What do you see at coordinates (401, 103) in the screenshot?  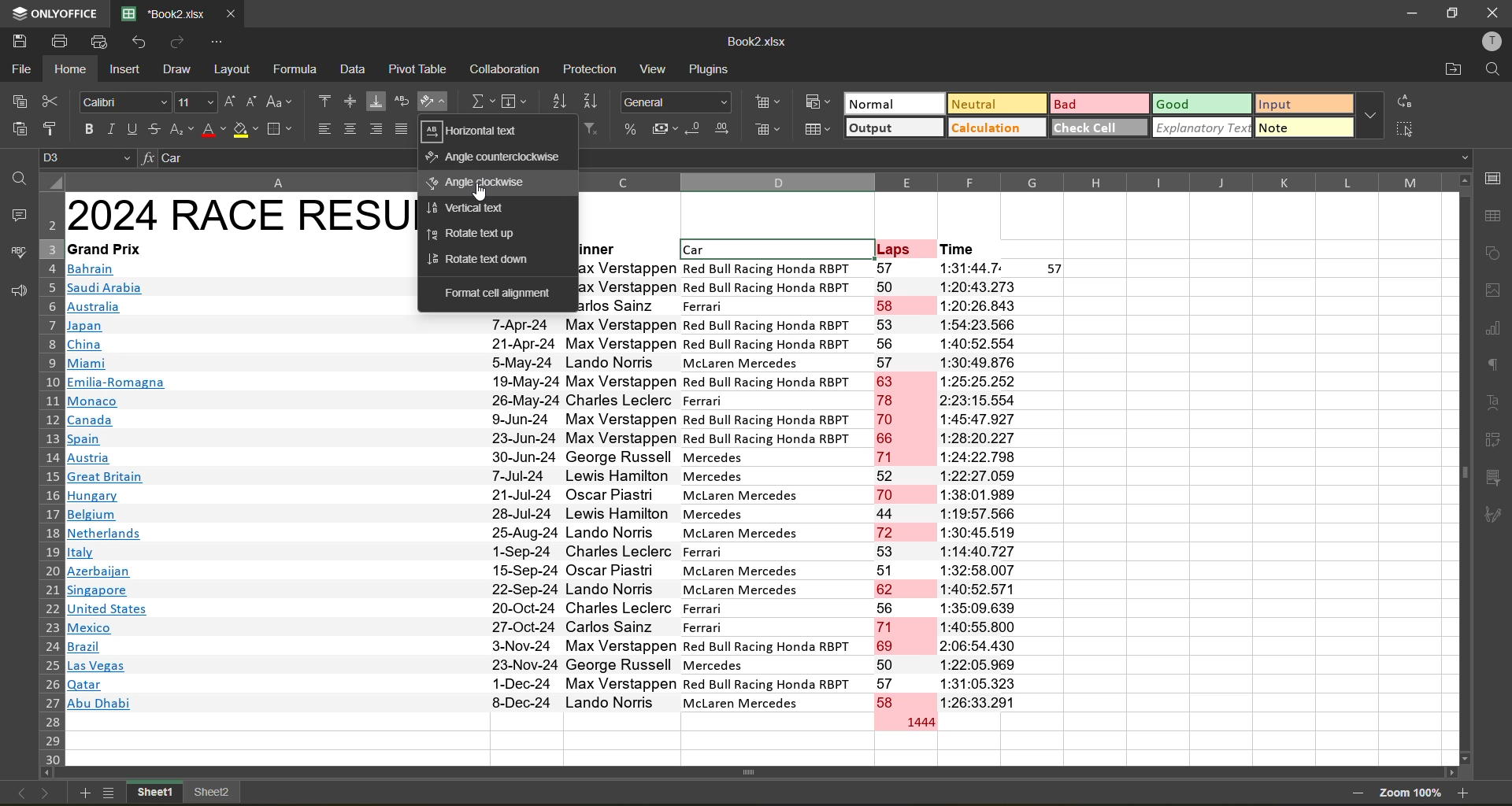 I see `wrap text` at bounding box center [401, 103].